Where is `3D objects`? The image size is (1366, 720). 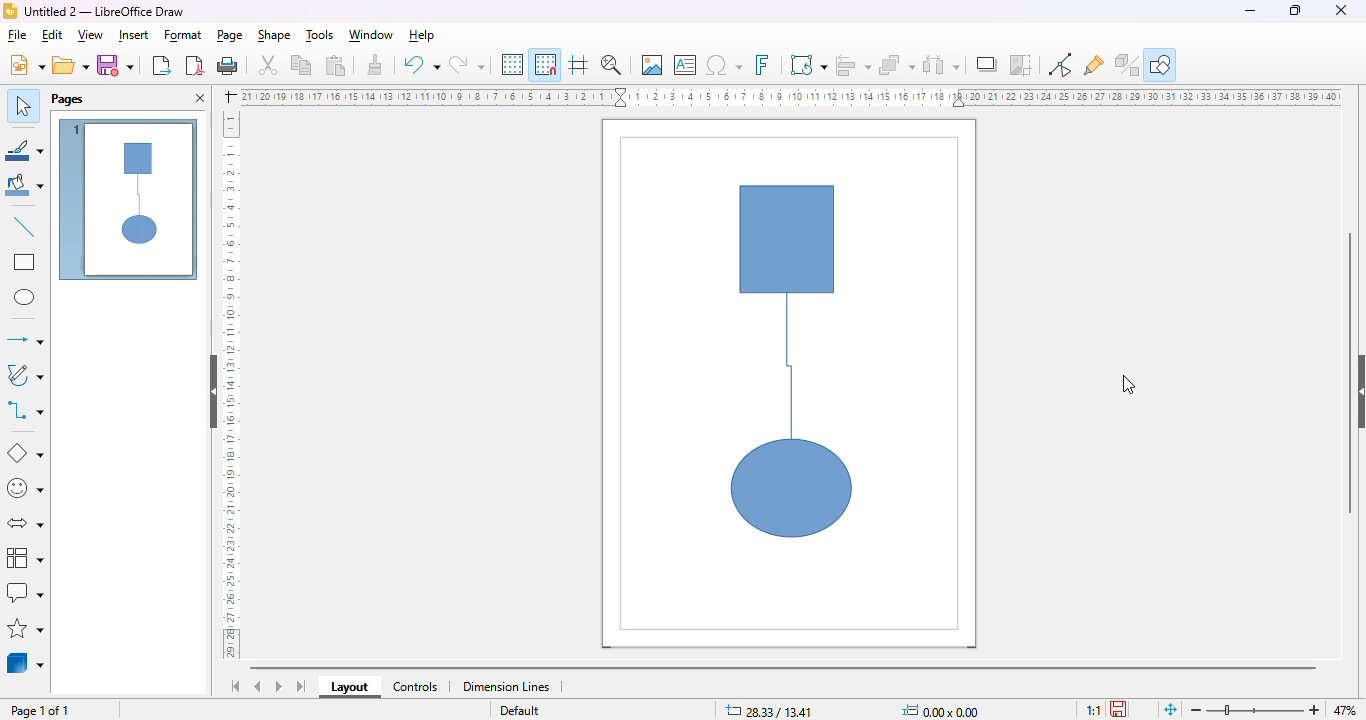 3D objects is located at coordinates (26, 662).